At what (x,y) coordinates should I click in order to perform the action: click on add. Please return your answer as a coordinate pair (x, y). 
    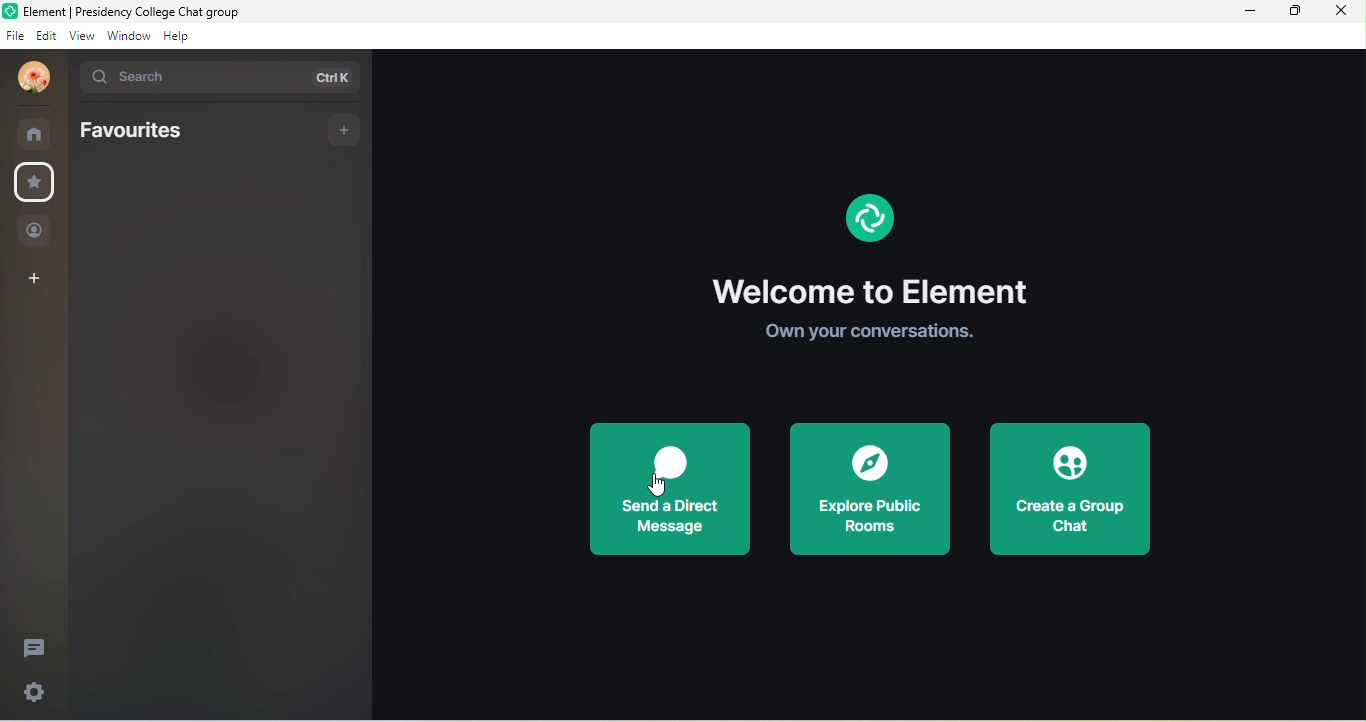
    Looking at the image, I should click on (345, 130).